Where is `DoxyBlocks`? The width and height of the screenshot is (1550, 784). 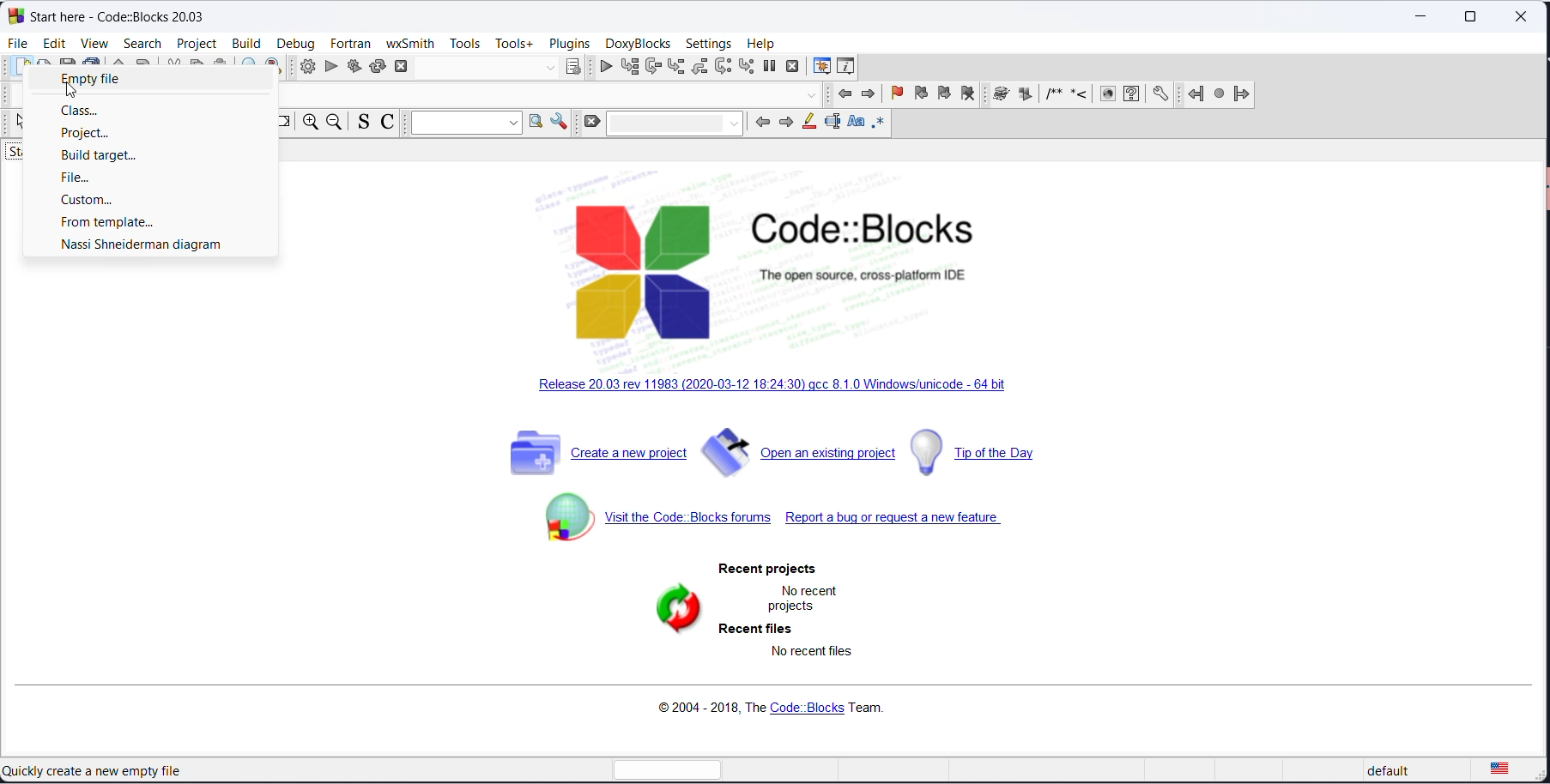
DoxyBlocks is located at coordinates (639, 43).